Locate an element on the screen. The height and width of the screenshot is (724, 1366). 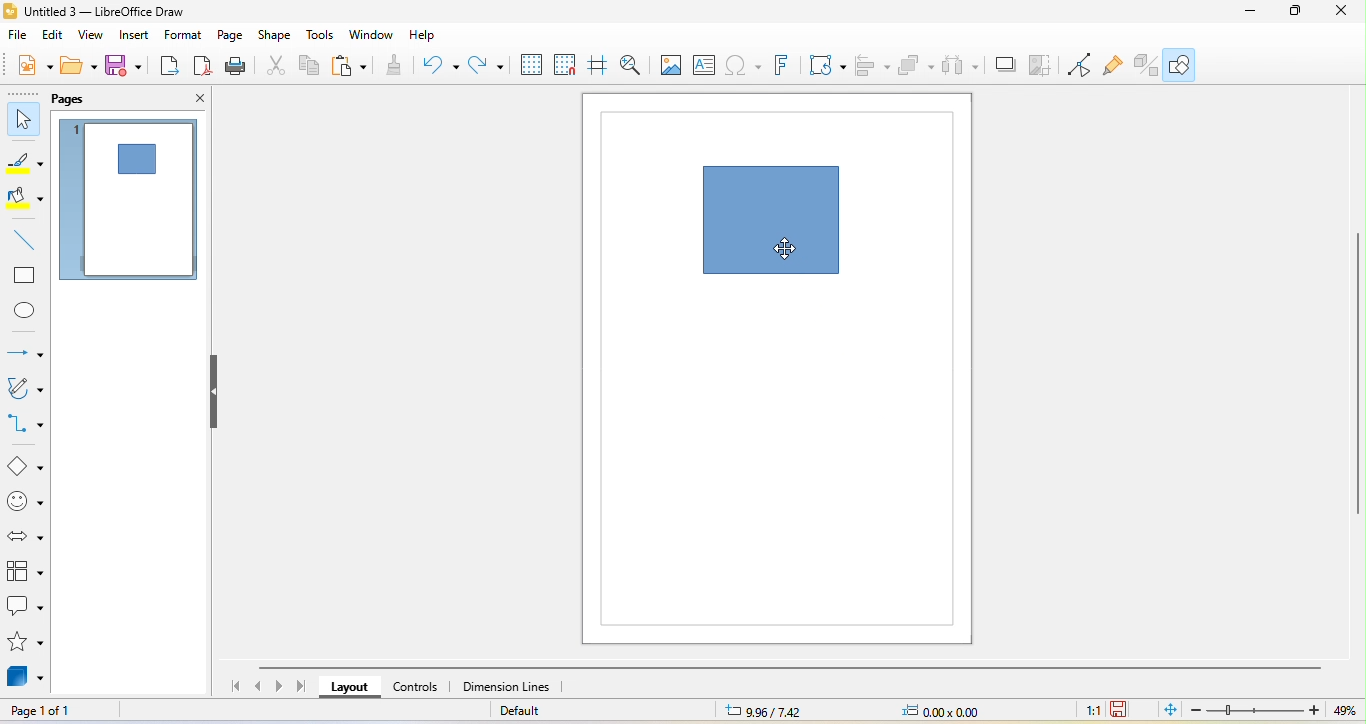
symbol shapes is located at coordinates (24, 502).